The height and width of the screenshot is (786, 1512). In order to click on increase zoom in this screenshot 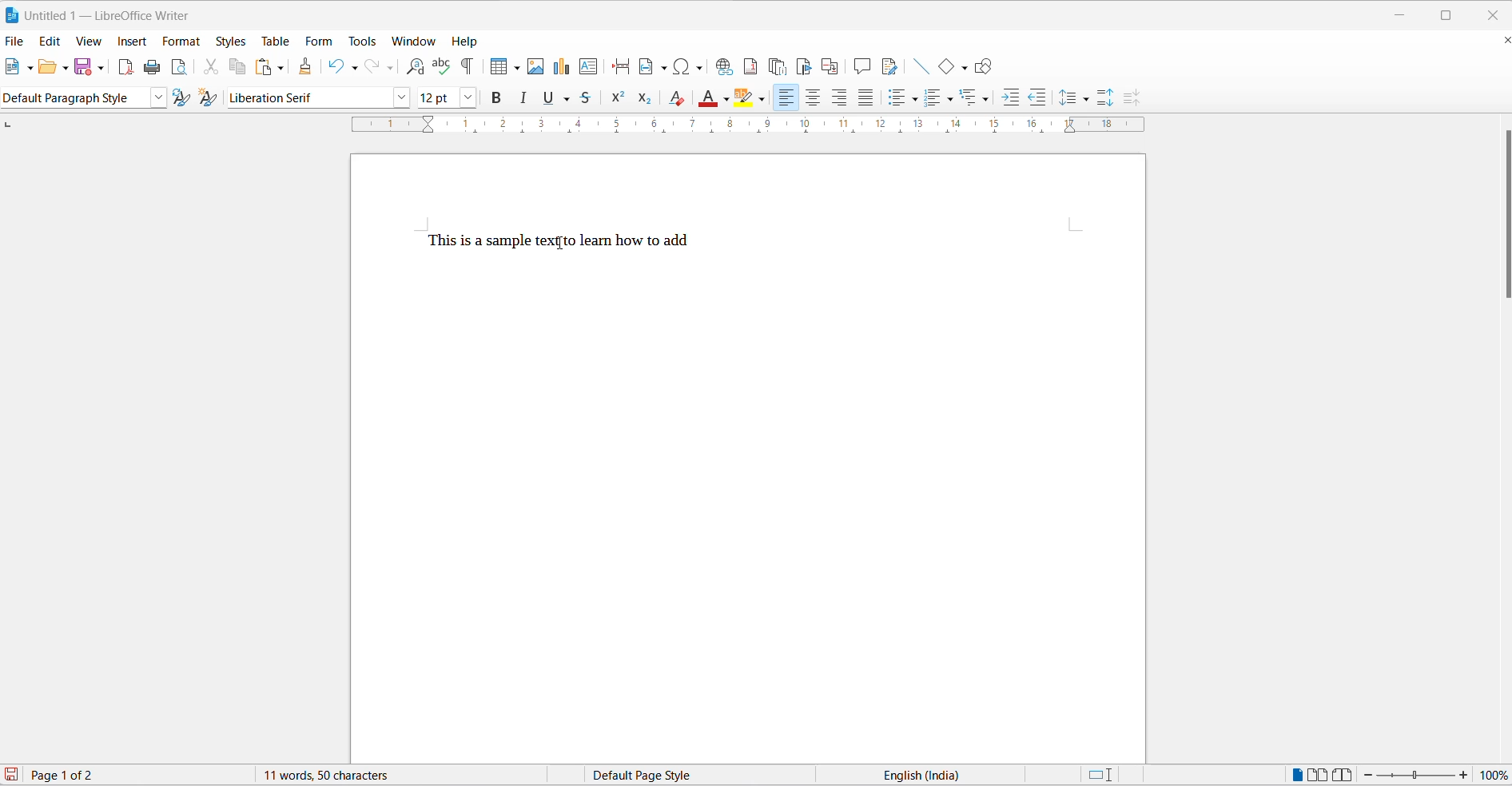, I will do `click(1464, 775)`.